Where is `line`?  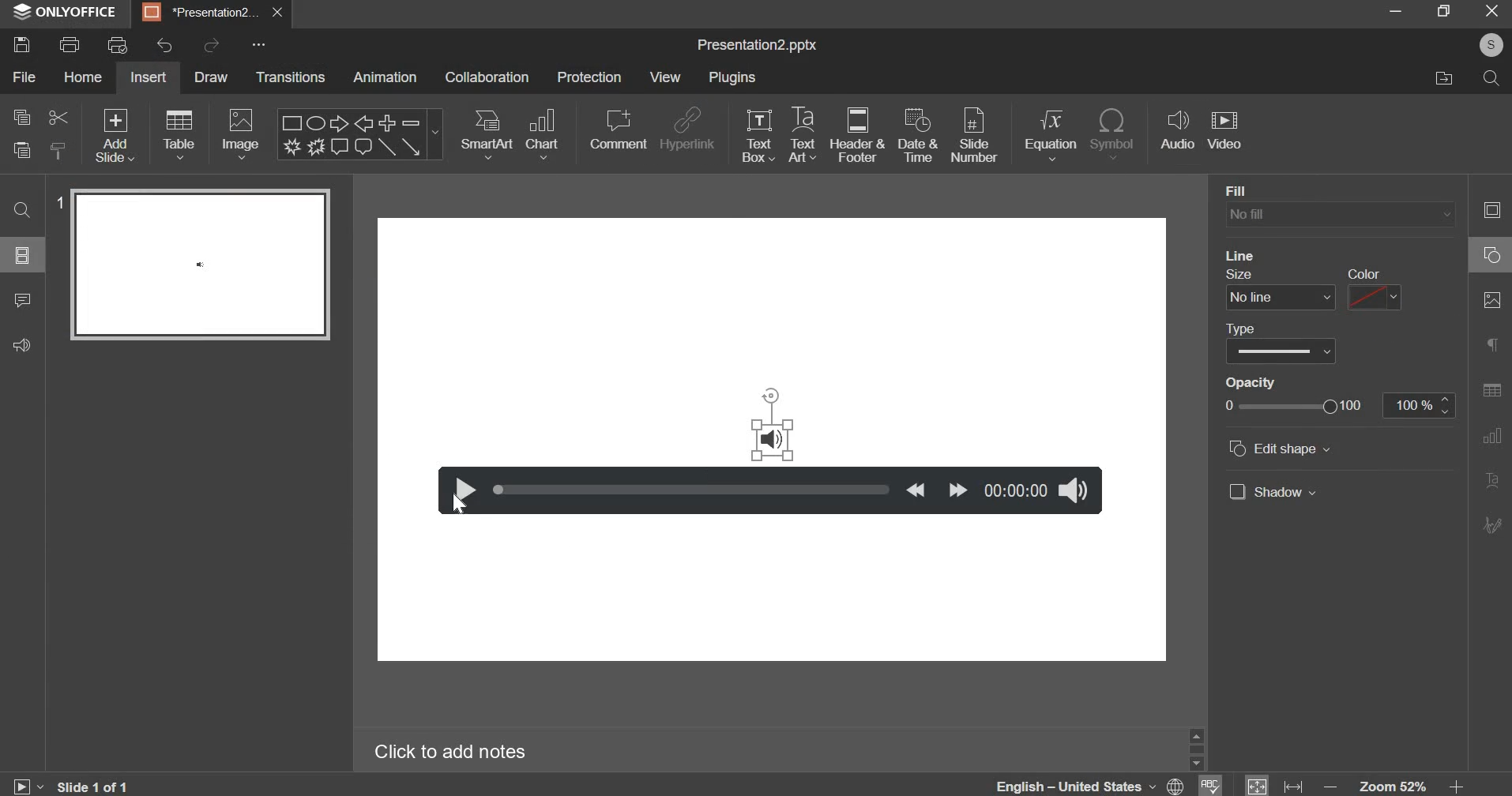 line is located at coordinates (1241, 255).